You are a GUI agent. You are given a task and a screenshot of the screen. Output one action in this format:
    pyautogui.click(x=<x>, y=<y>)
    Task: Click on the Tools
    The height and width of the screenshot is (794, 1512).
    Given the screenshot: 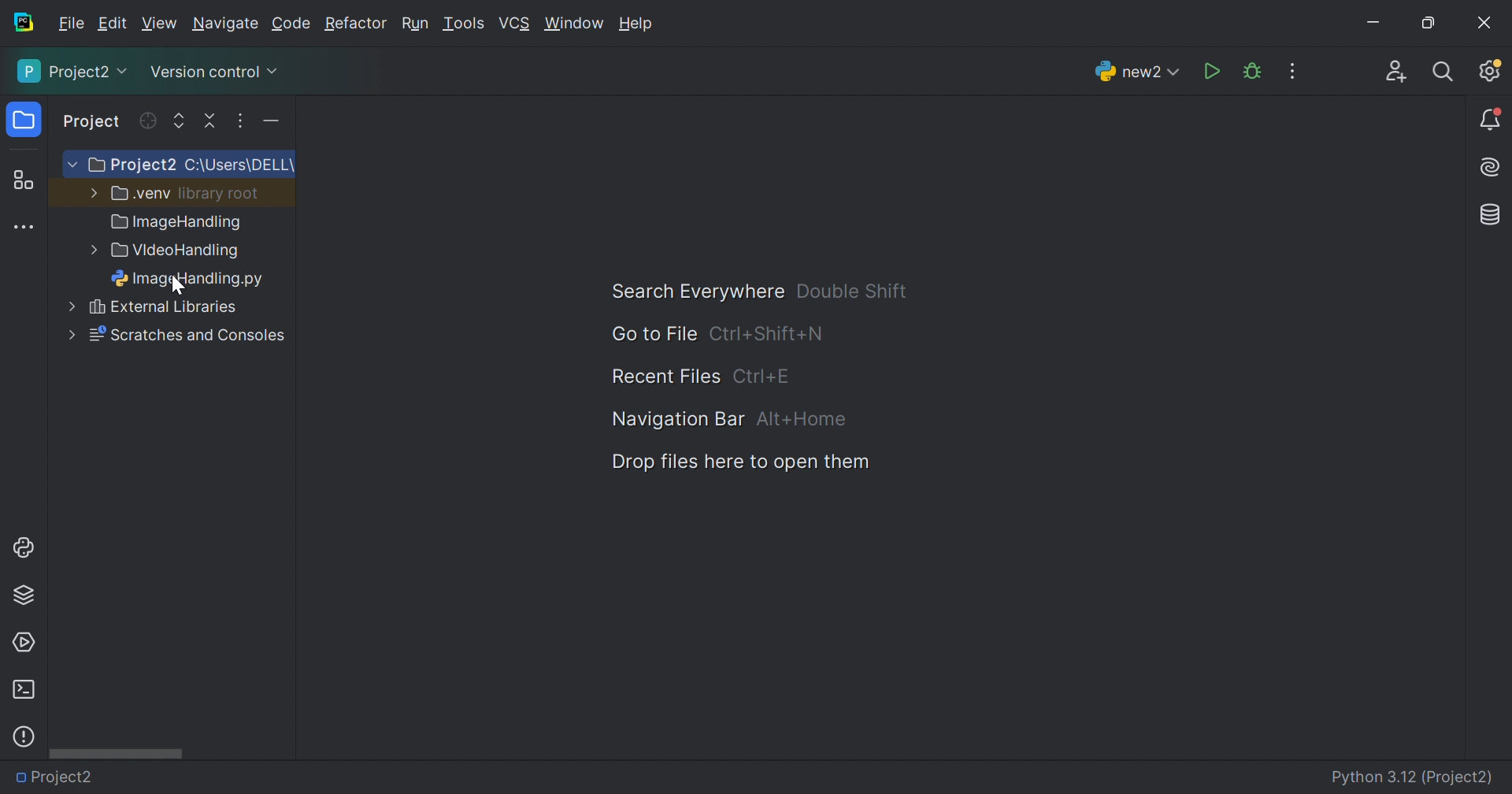 What is the action you would take?
    pyautogui.click(x=462, y=24)
    